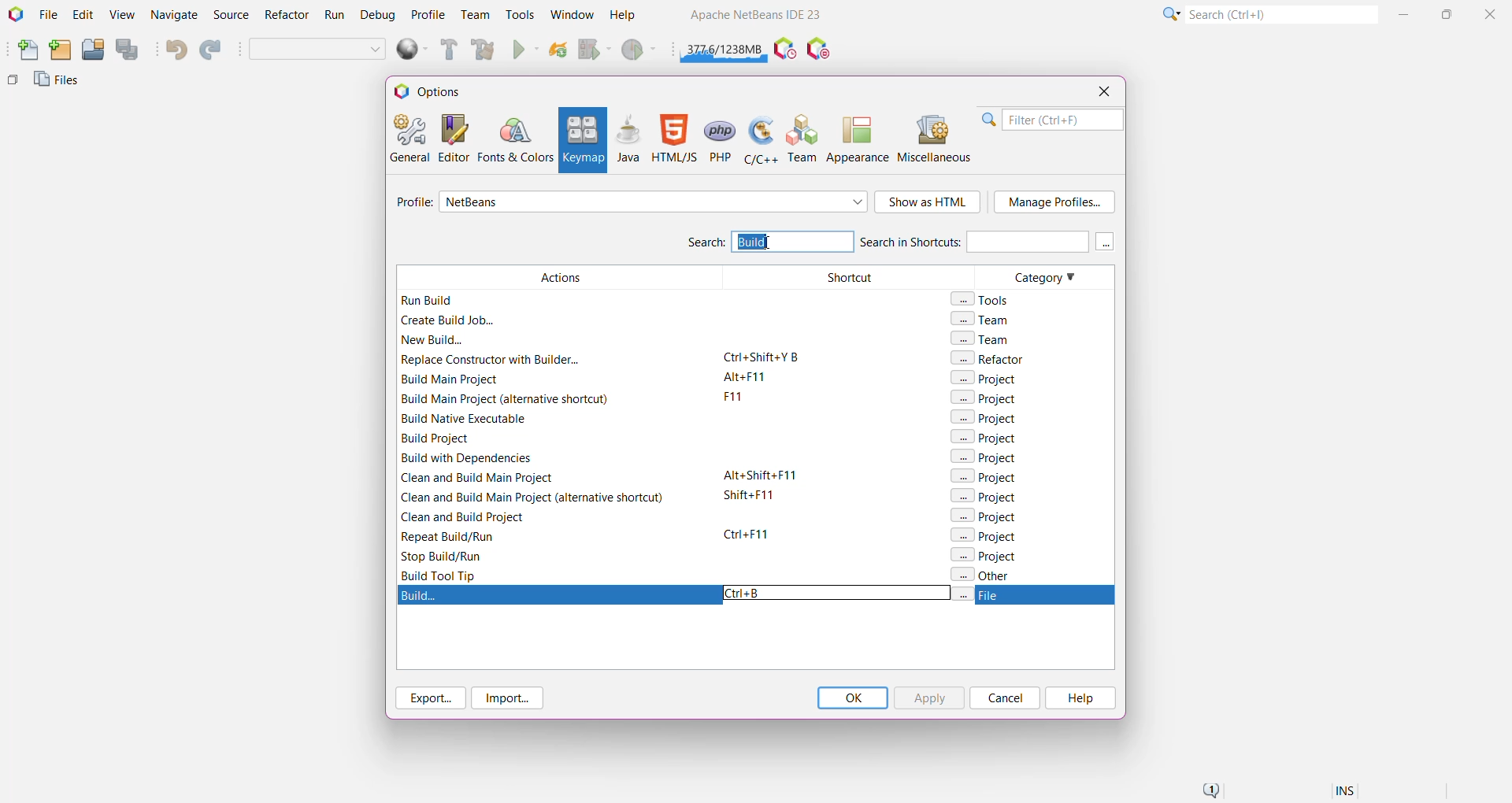  What do you see at coordinates (288, 17) in the screenshot?
I see `Refactor` at bounding box center [288, 17].